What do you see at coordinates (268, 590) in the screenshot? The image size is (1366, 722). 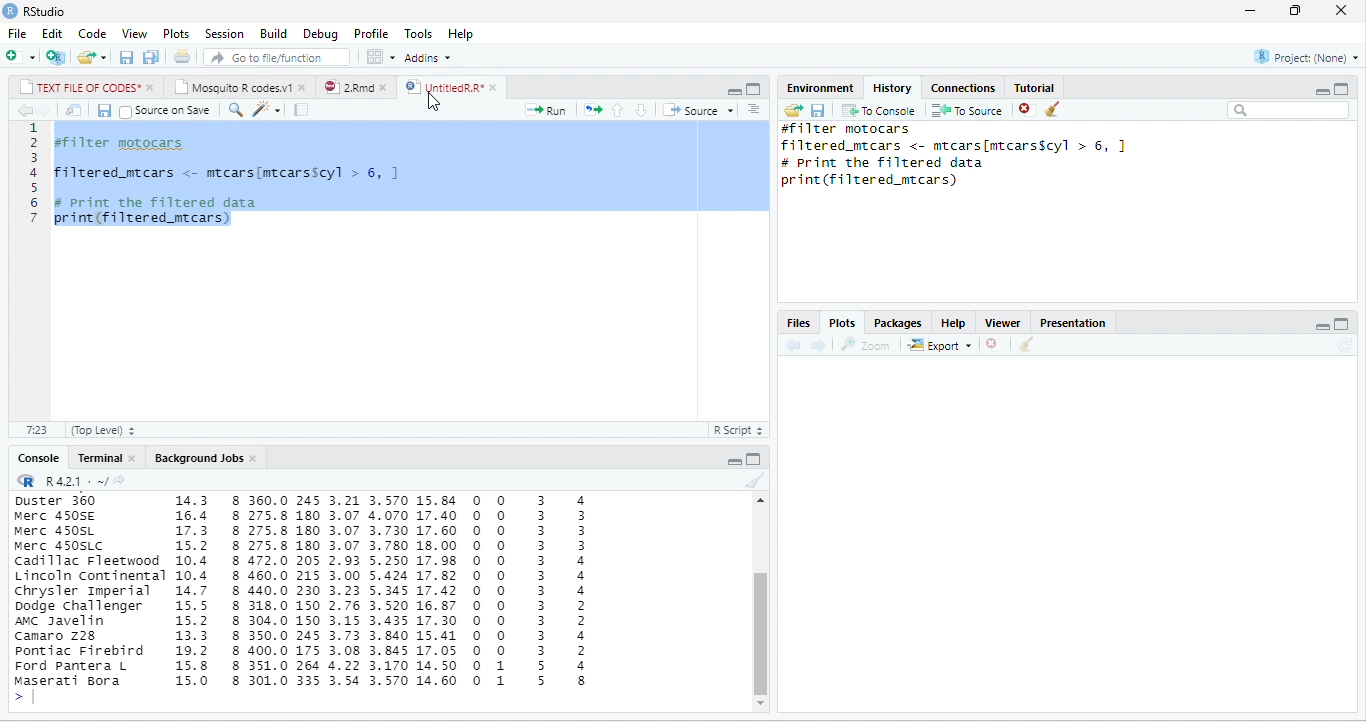 I see `360.0  275.8  275.8  275.8  472.0  460.0  440.0  318.0  304.0  350.0  400.0  351.0  301.0` at bounding box center [268, 590].